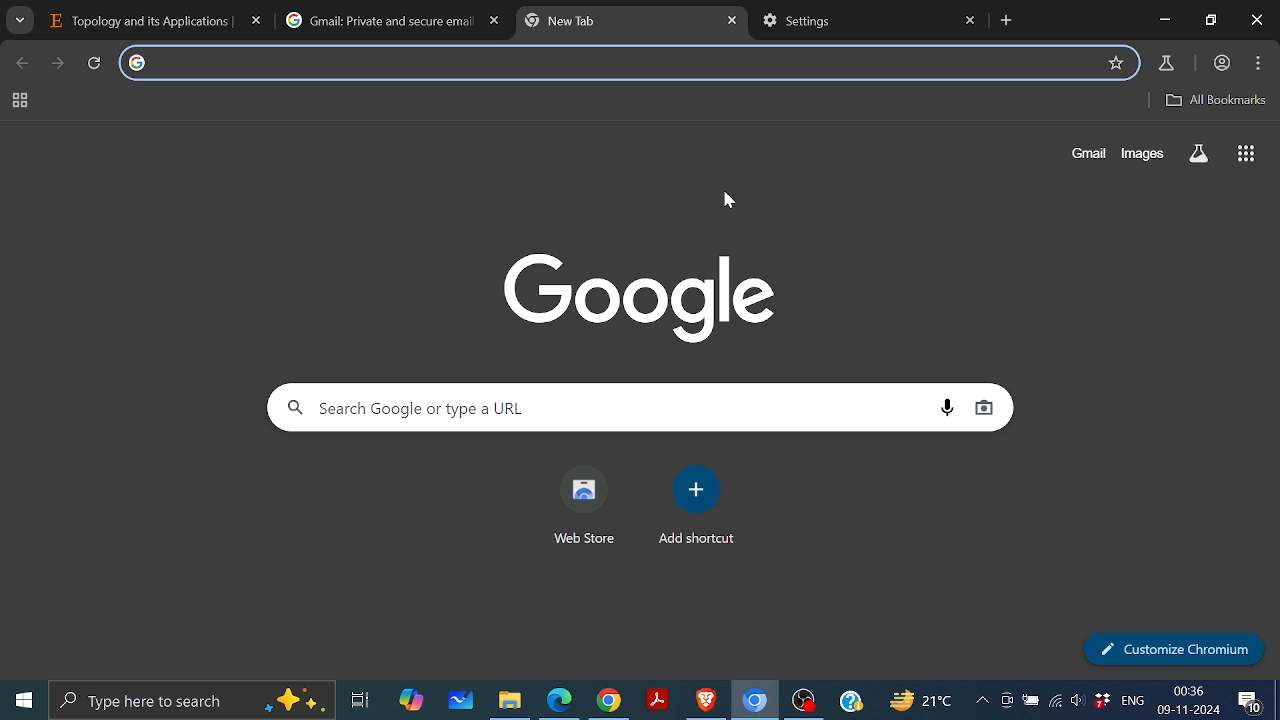 Image resolution: width=1280 pixels, height=720 pixels. Describe the element at coordinates (560, 701) in the screenshot. I see `microsoft edge` at that location.